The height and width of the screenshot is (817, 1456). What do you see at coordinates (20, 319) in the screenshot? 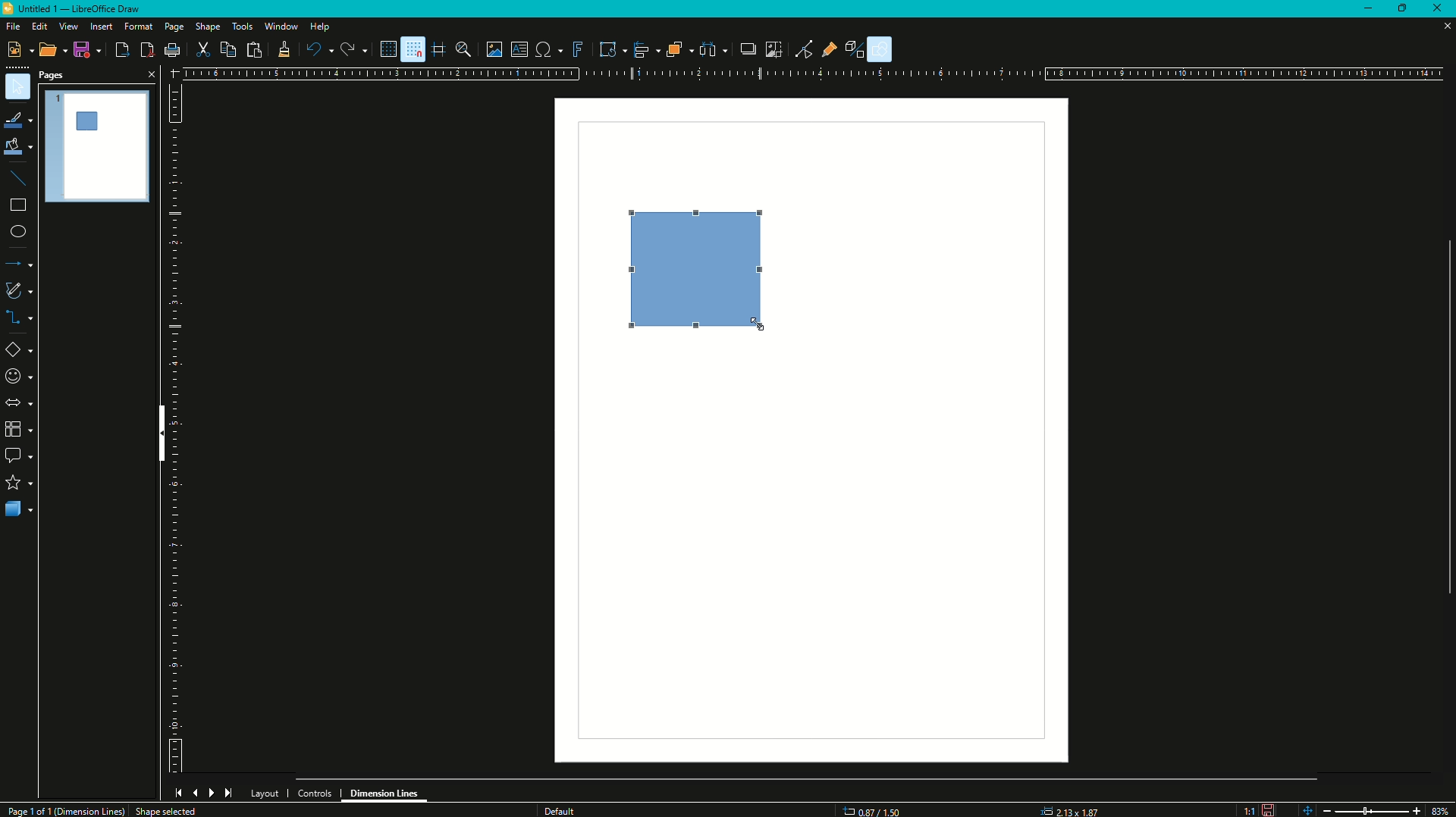
I see `Connectors` at bounding box center [20, 319].